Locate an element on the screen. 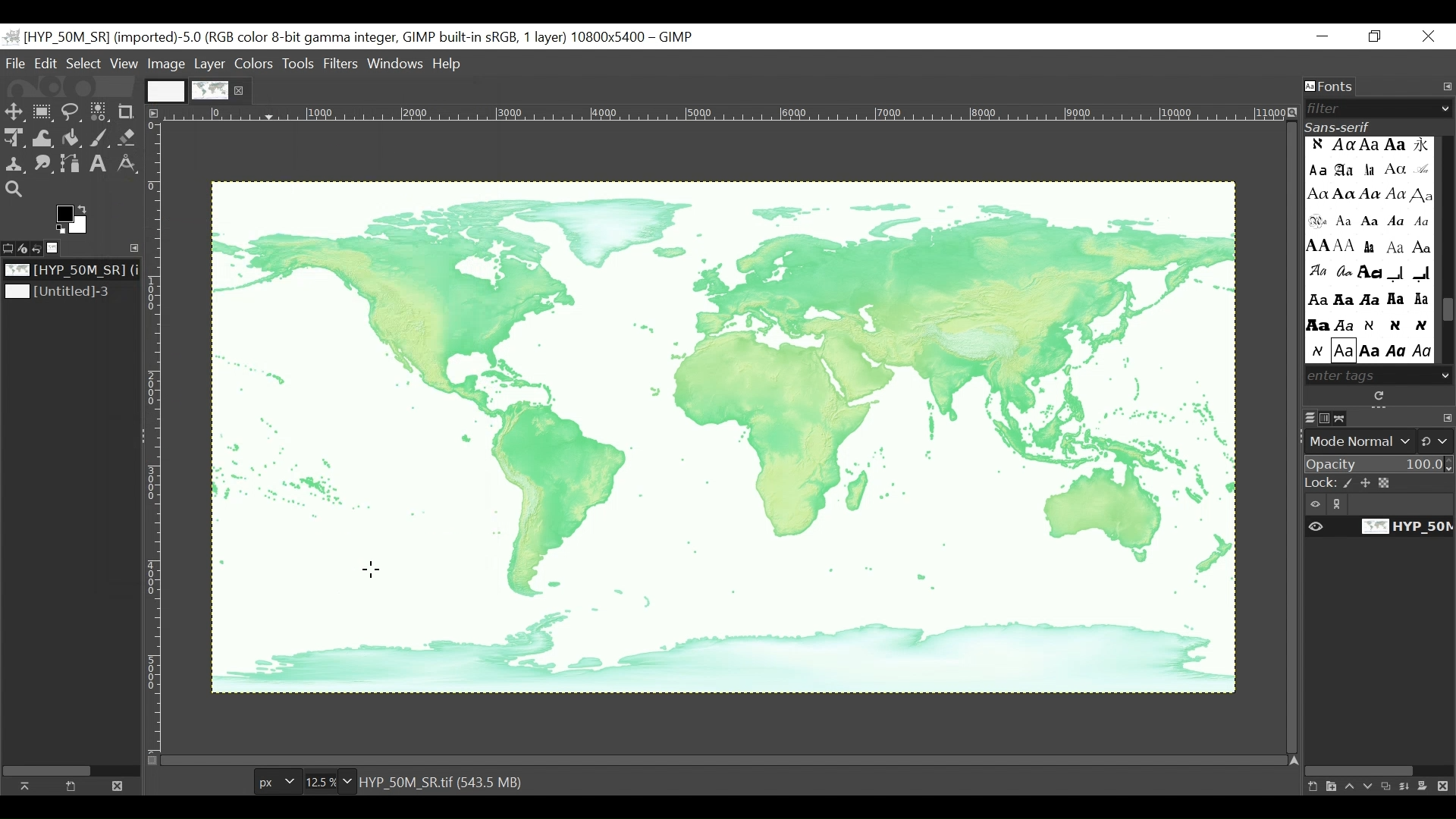 The height and width of the screenshot is (819, 1456). Smudge Tool is located at coordinates (42, 165).